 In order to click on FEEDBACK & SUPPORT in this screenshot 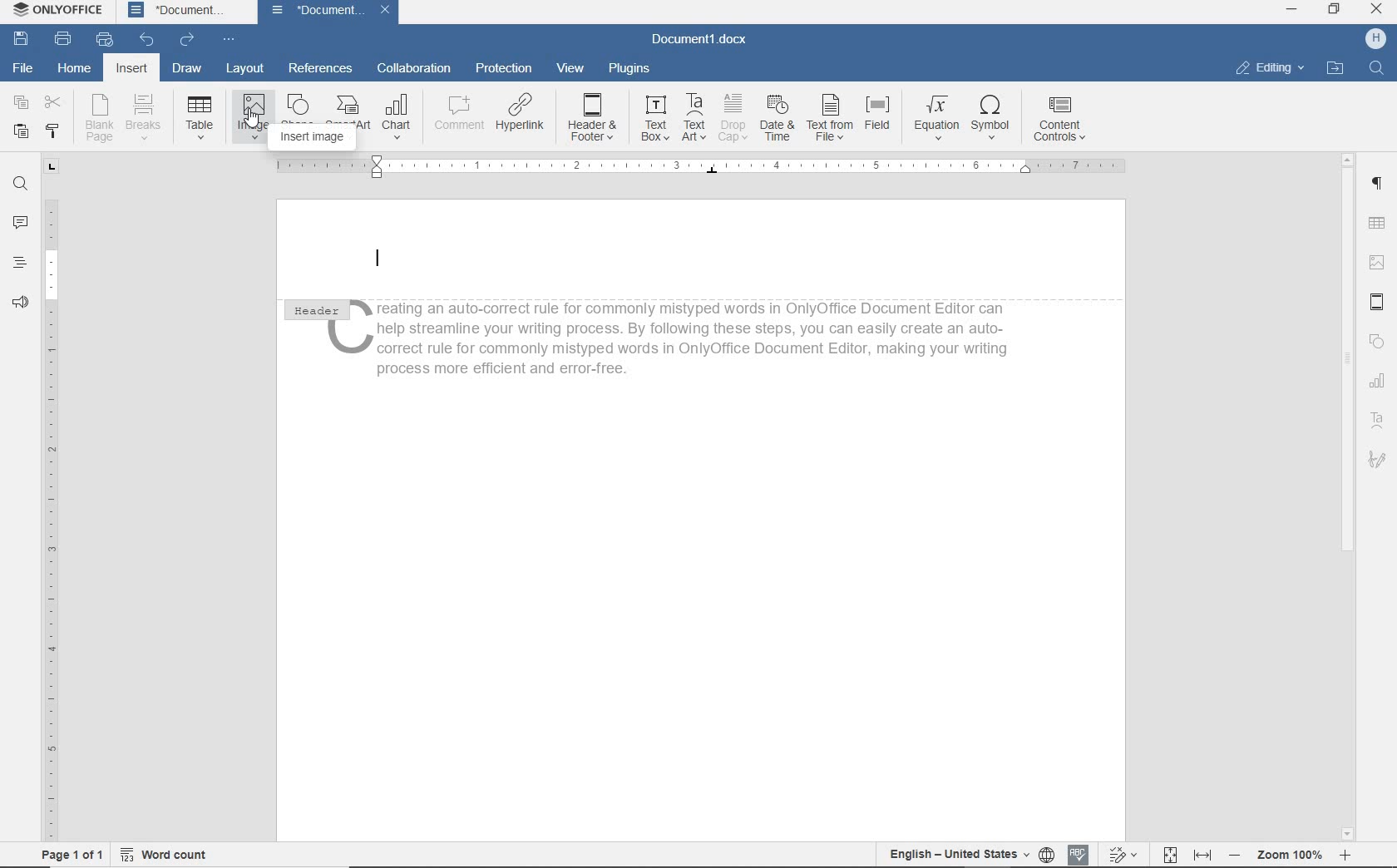, I will do `click(21, 300)`.